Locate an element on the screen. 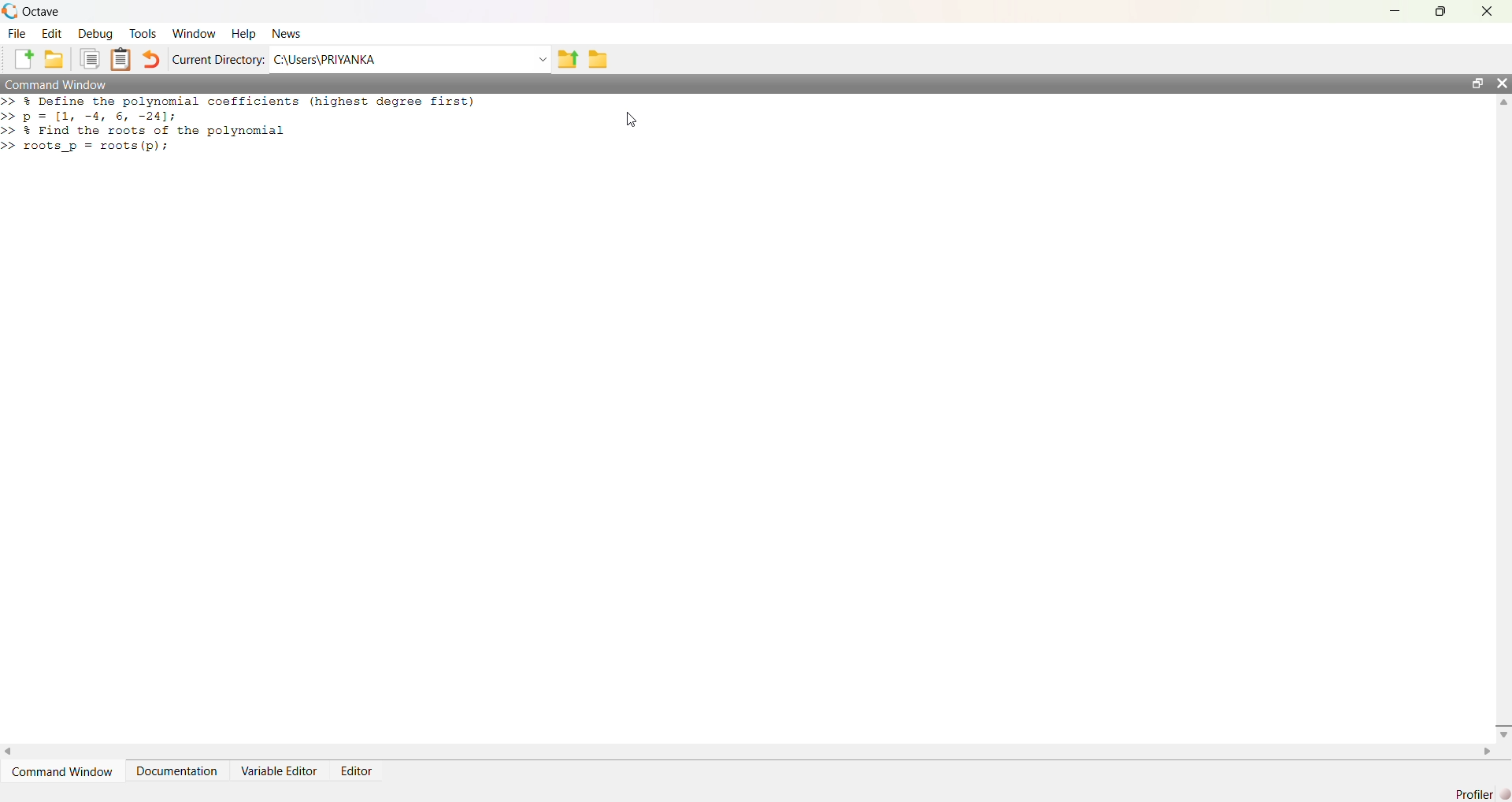  Octave is located at coordinates (39, 12).